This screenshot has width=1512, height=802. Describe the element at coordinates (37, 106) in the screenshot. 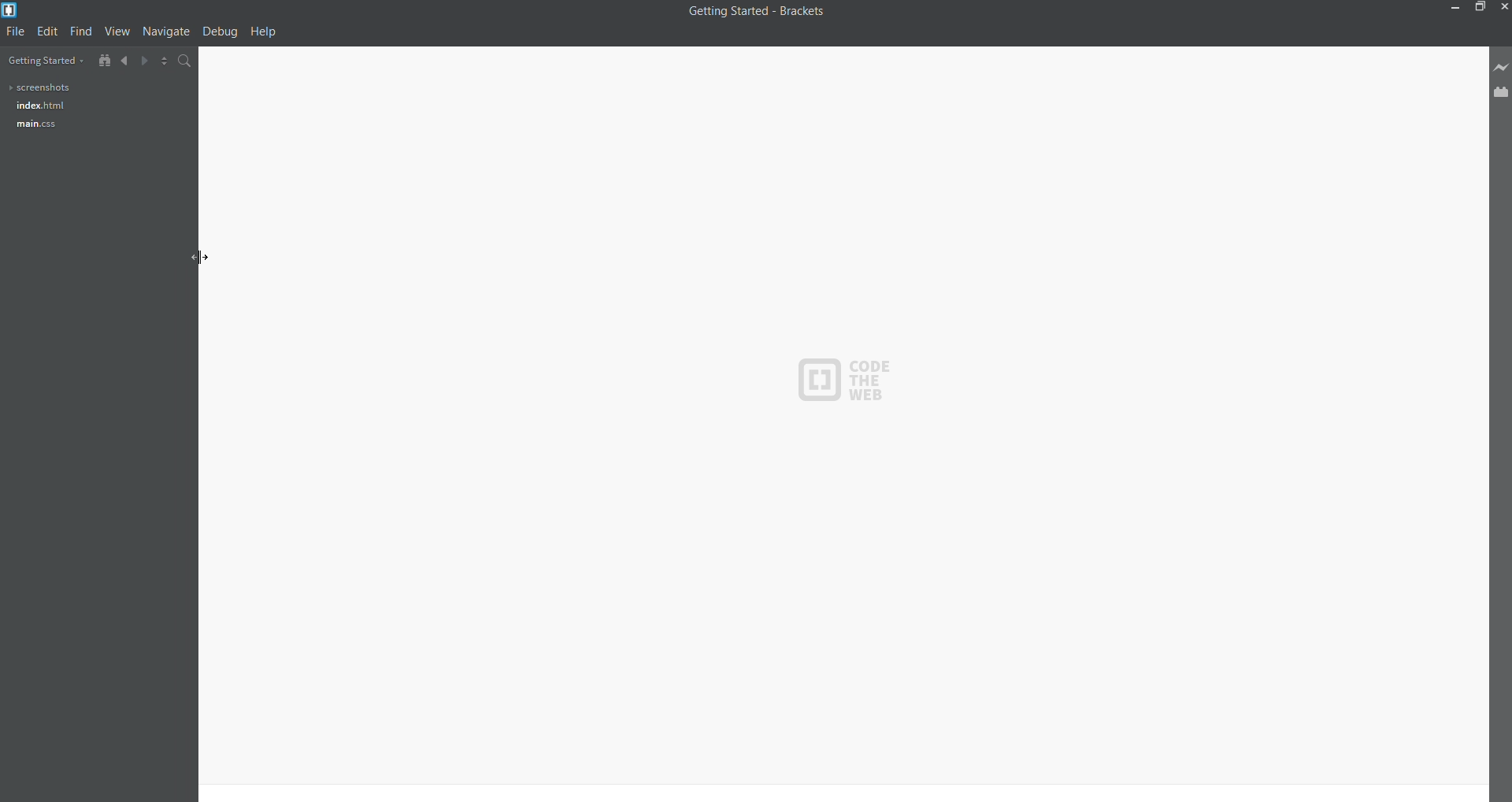

I see `index.html` at that location.